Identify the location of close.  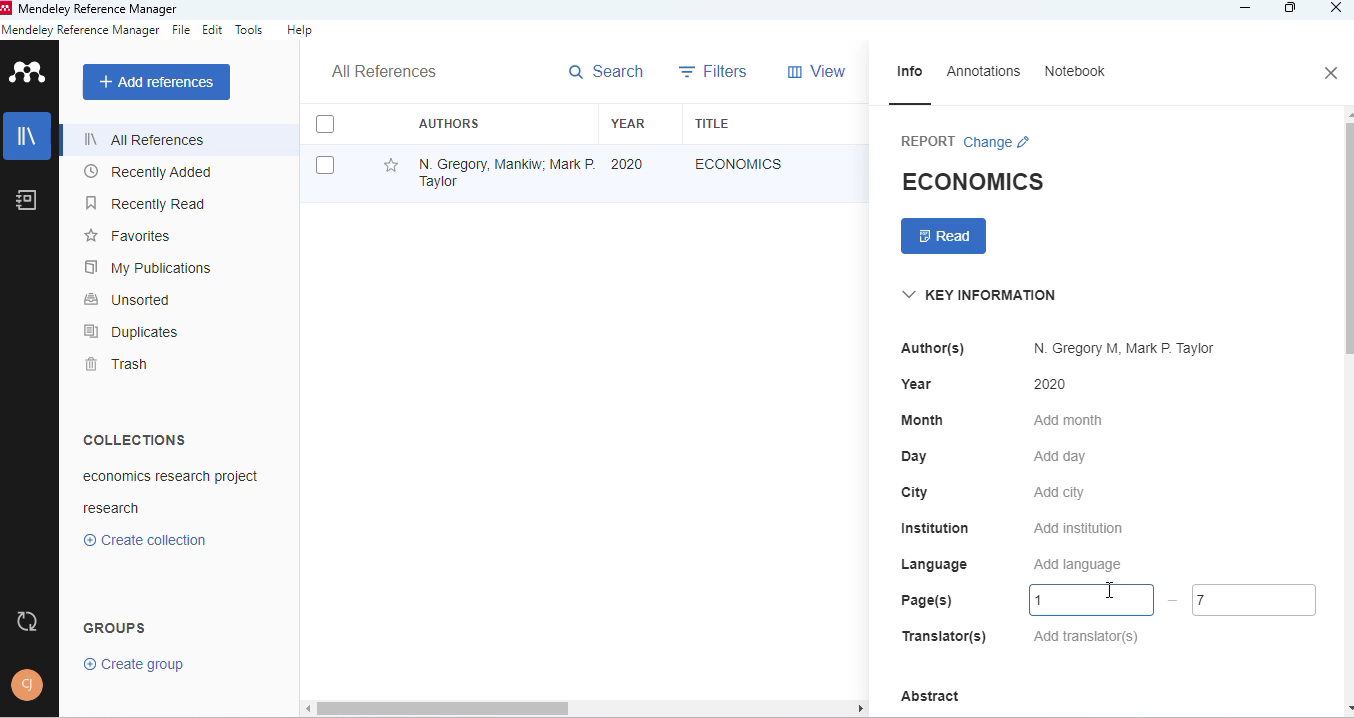
(1333, 73).